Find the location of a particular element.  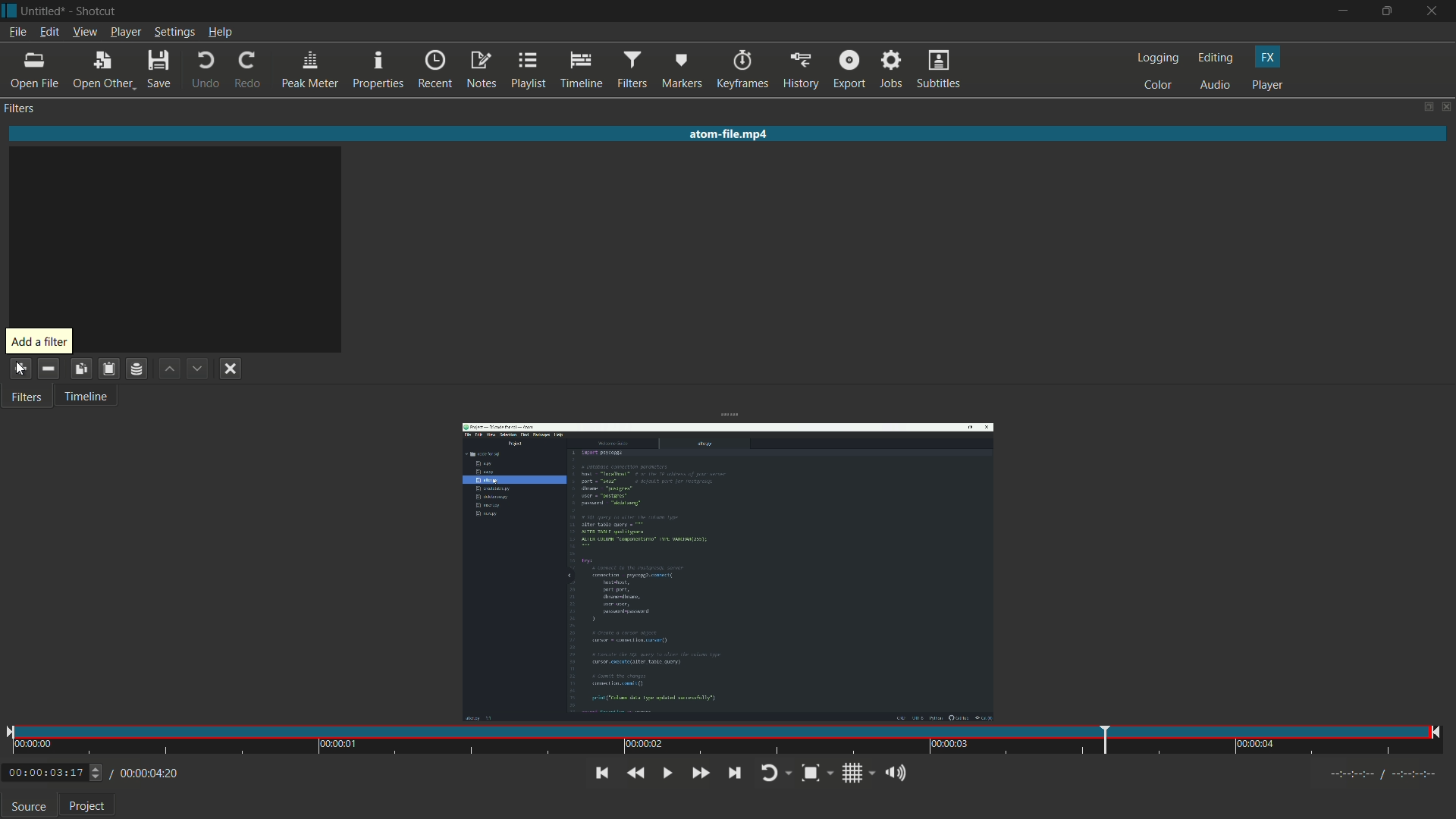

toggle player looping is located at coordinates (774, 773).